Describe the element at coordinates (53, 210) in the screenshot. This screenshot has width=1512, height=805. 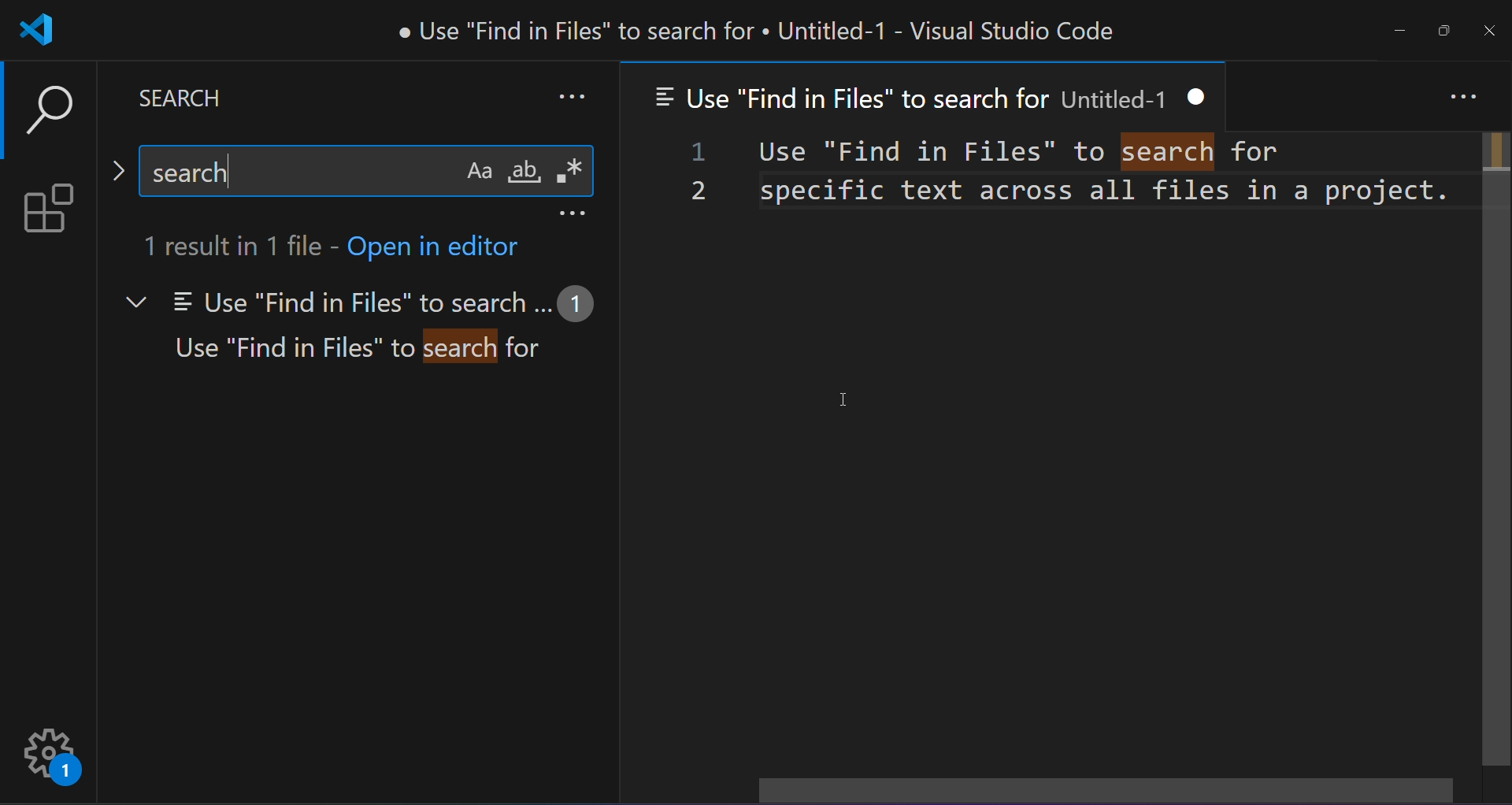
I see `extension` at that location.